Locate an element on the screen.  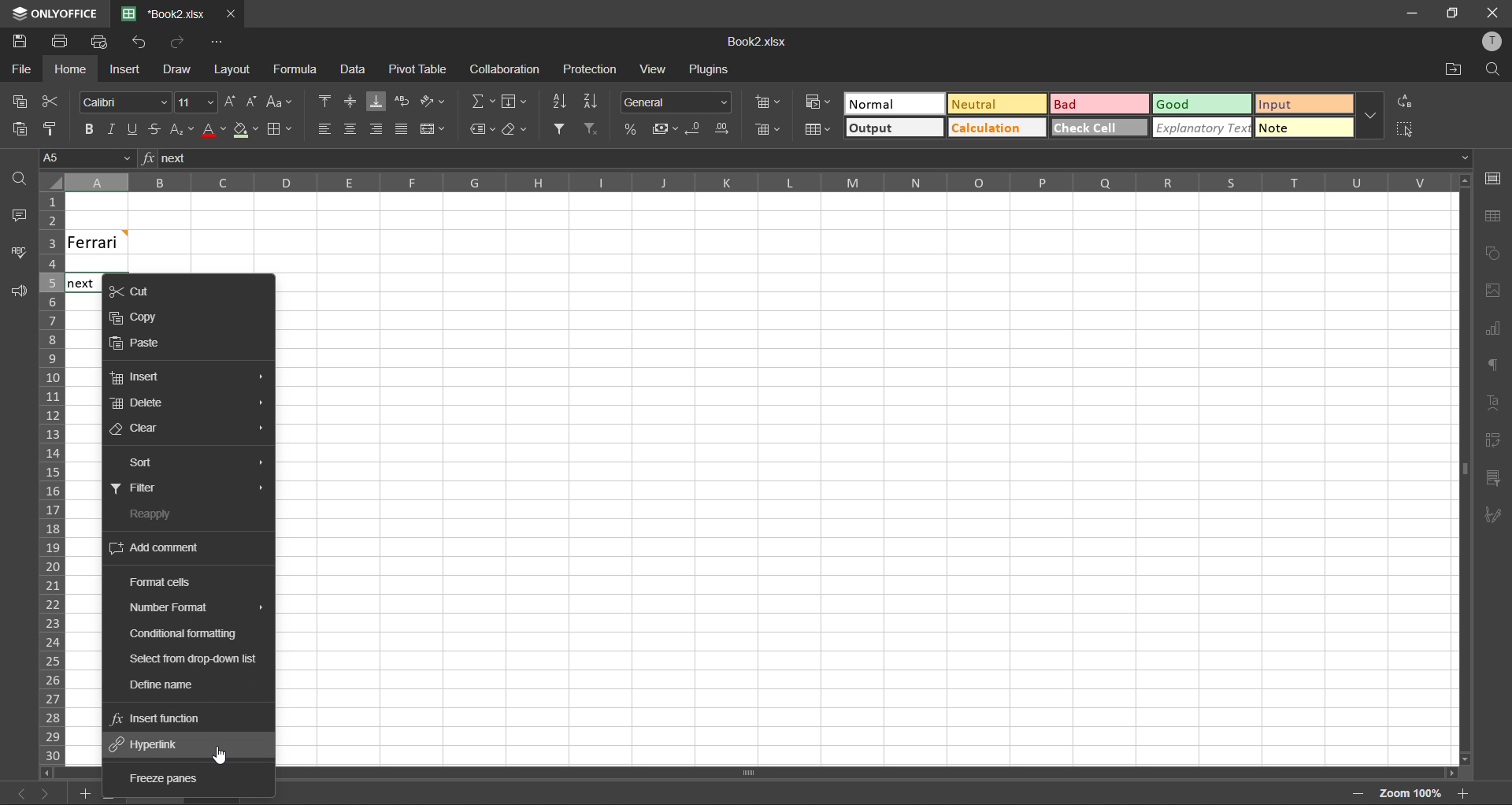
table is located at coordinates (1492, 216).